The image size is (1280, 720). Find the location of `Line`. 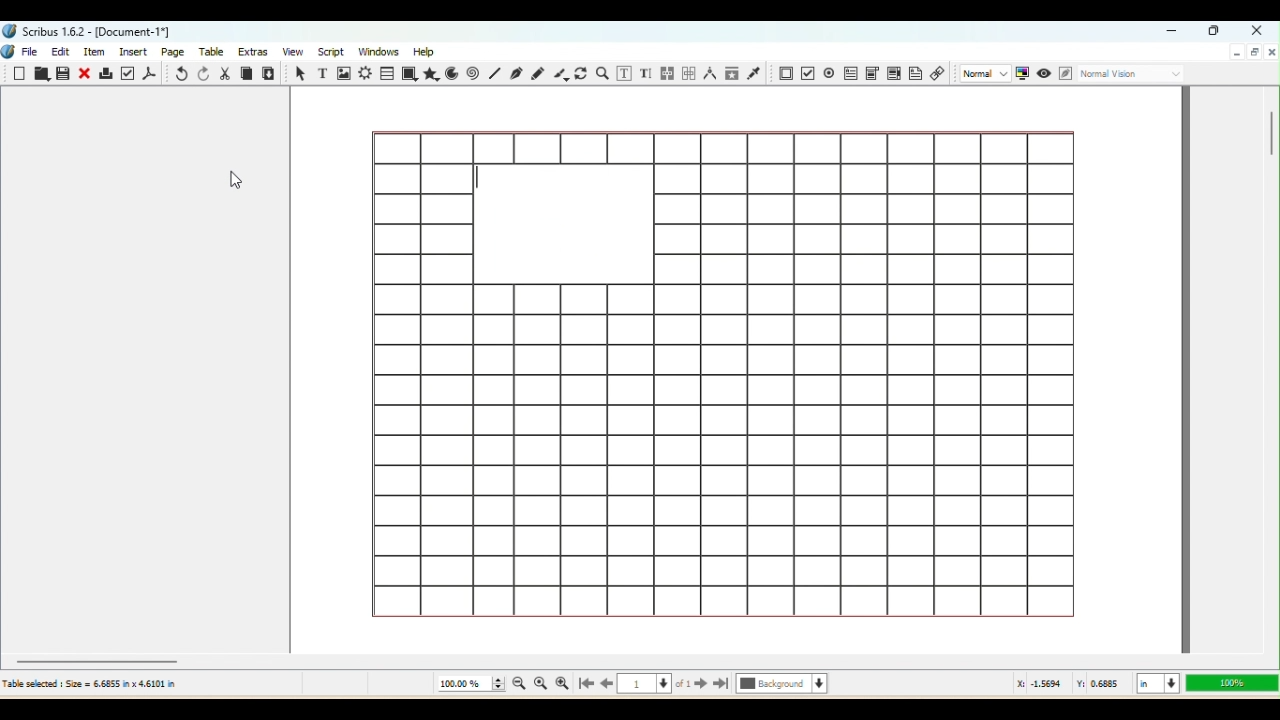

Line is located at coordinates (494, 74).